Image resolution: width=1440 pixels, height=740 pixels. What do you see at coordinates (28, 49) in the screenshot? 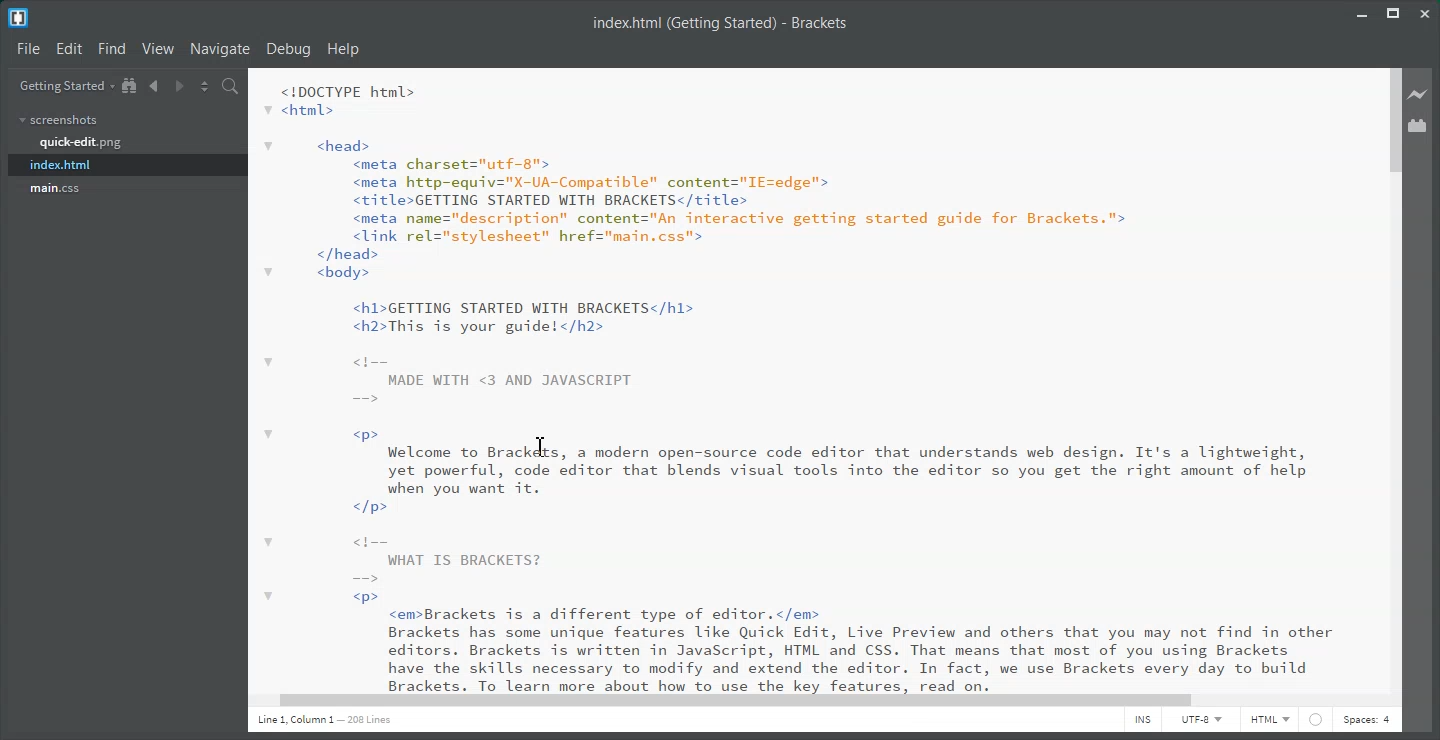
I see `File` at bounding box center [28, 49].